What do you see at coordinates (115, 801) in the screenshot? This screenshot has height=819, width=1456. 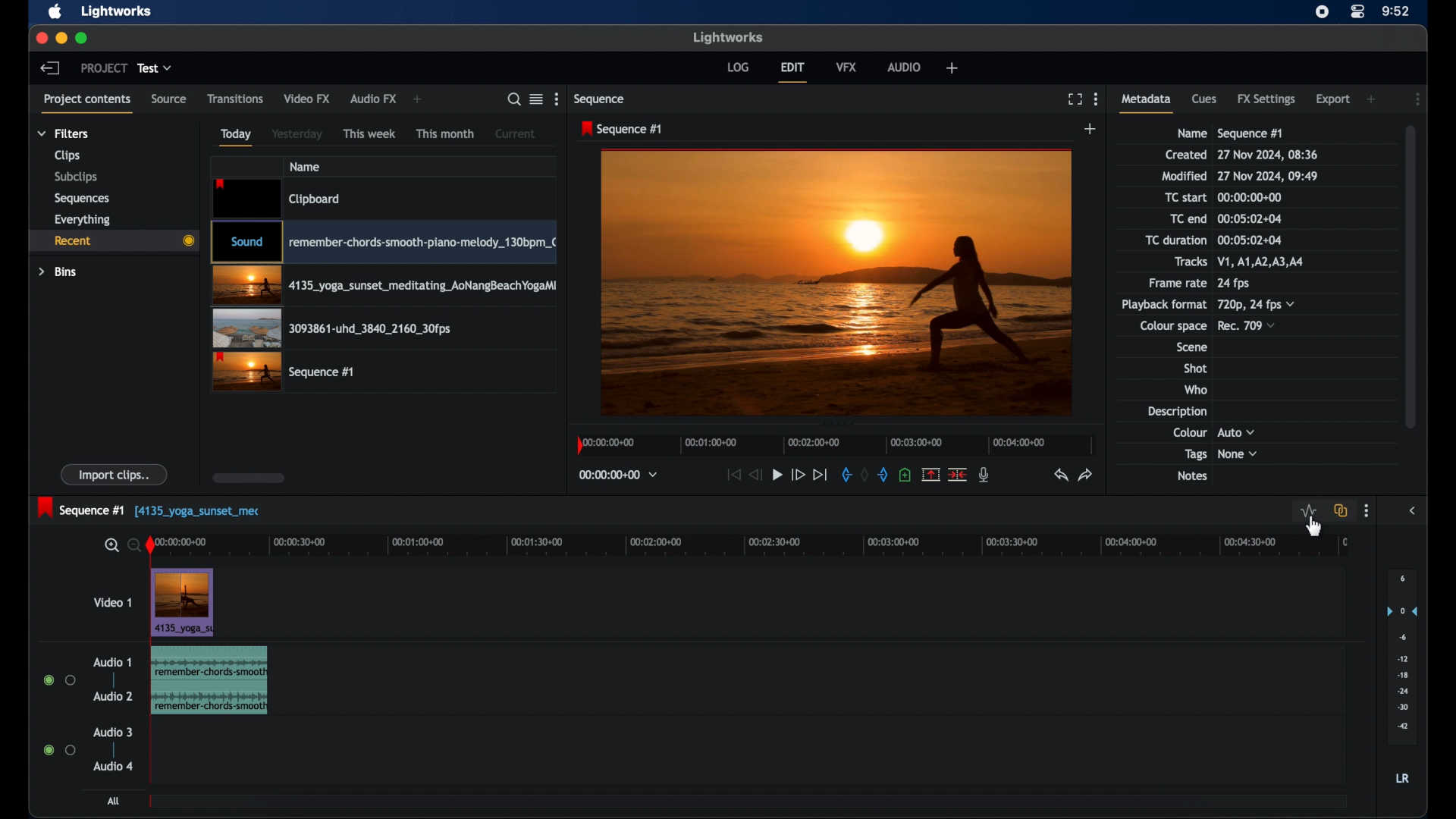 I see `all` at bounding box center [115, 801].